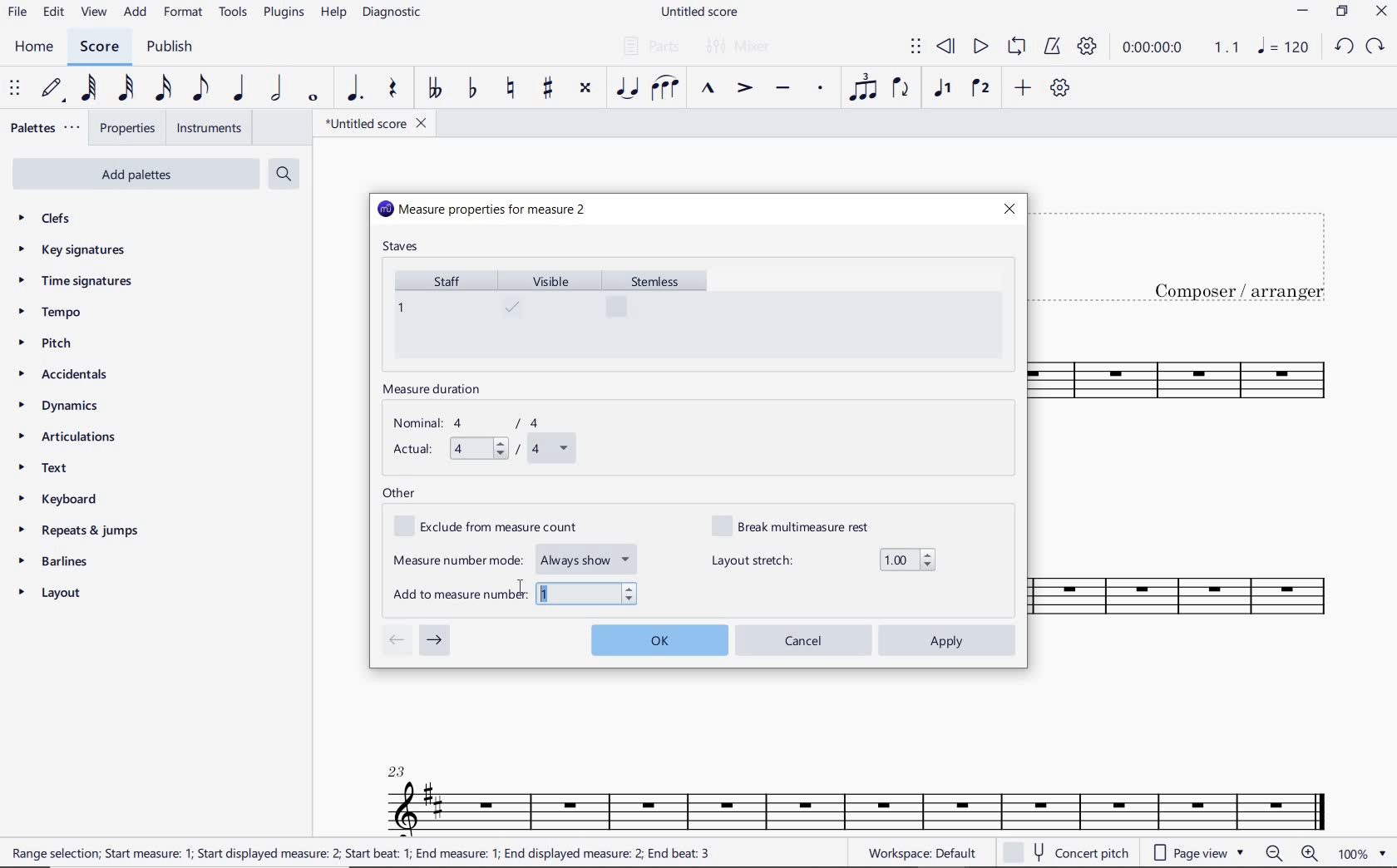 This screenshot has width=1397, height=868. What do you see at coordinates (516, 594) in the screenshot?
I see `add to measure number` at bounding box center [516, 594].